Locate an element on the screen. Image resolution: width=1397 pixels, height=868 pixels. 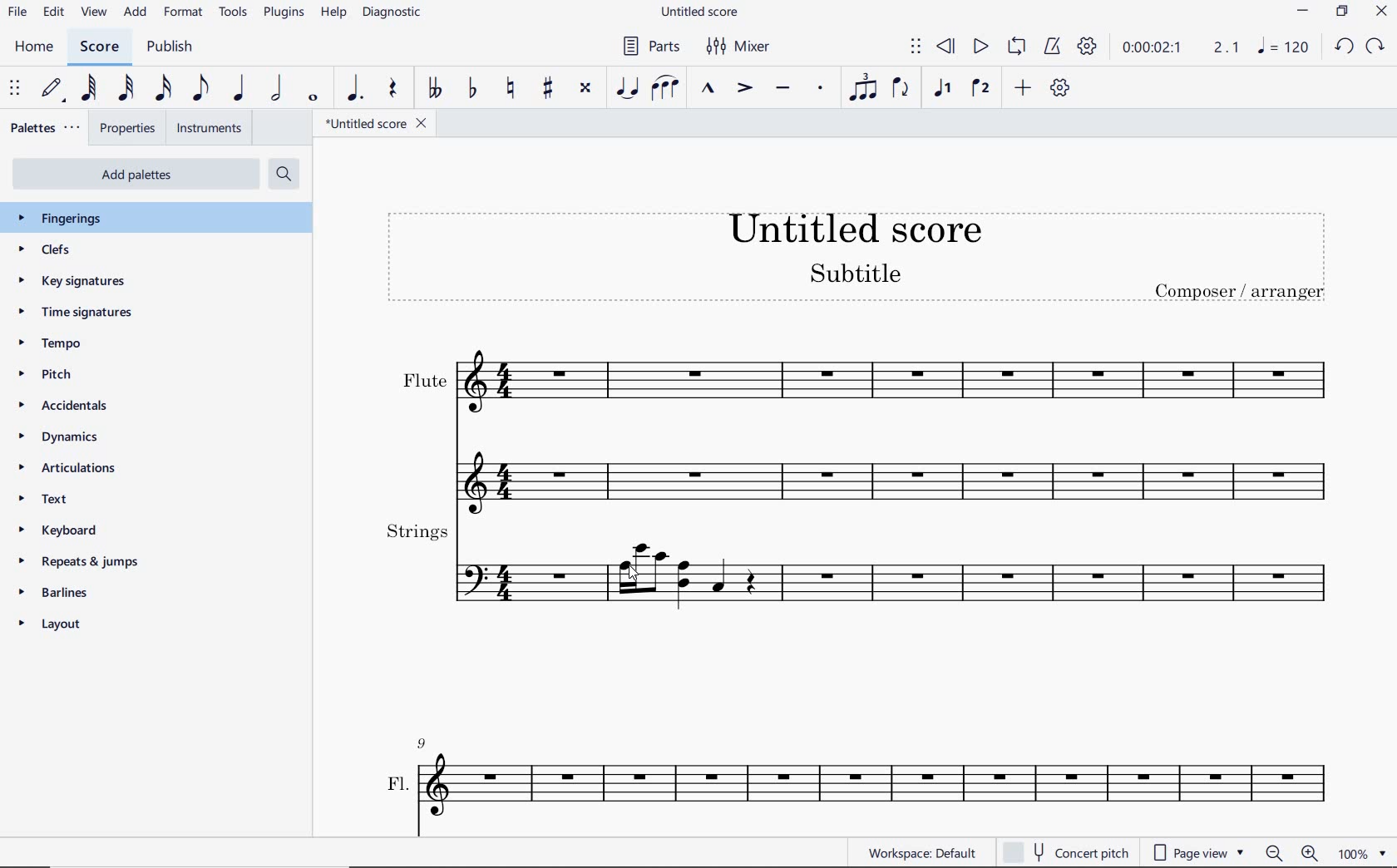
edit is located at coordinates (53, 10).